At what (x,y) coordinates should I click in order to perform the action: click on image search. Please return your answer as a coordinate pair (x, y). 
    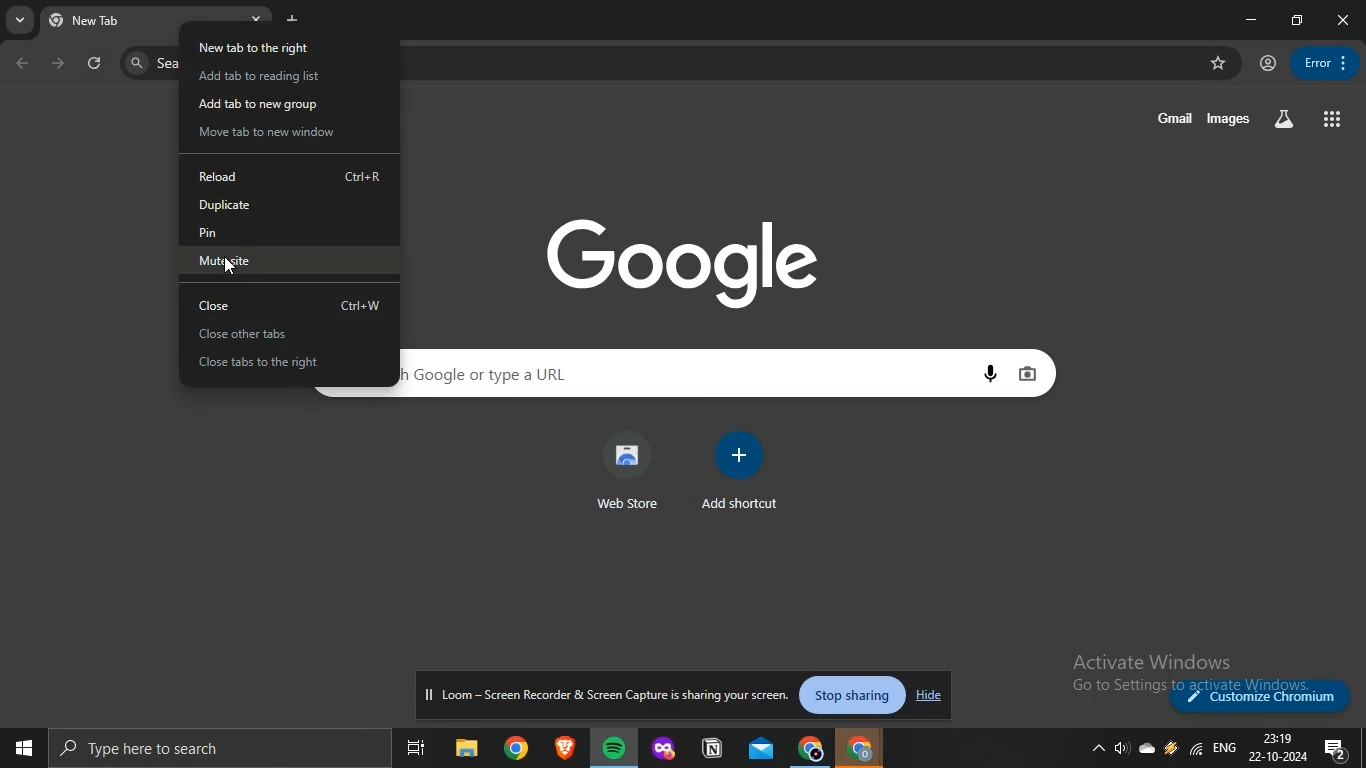
    Looking at the image, I should click on (1032, 373).